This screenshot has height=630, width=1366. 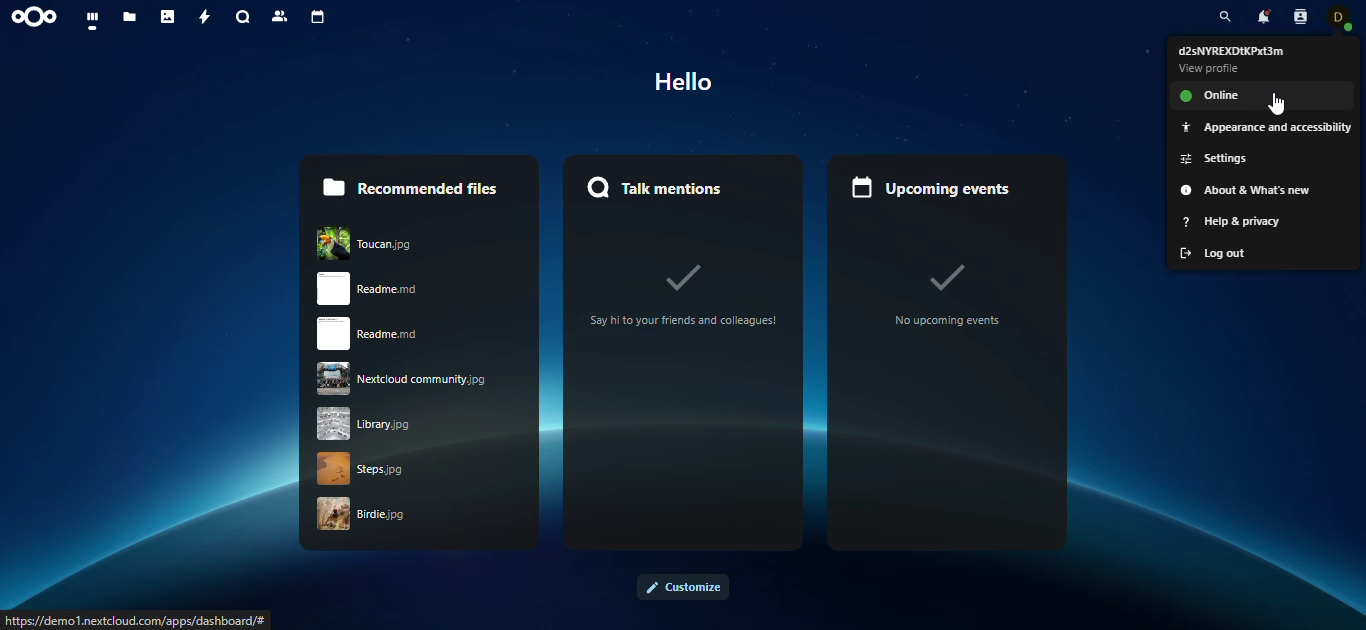 I want to click on search, so click(x=1221, y=17).